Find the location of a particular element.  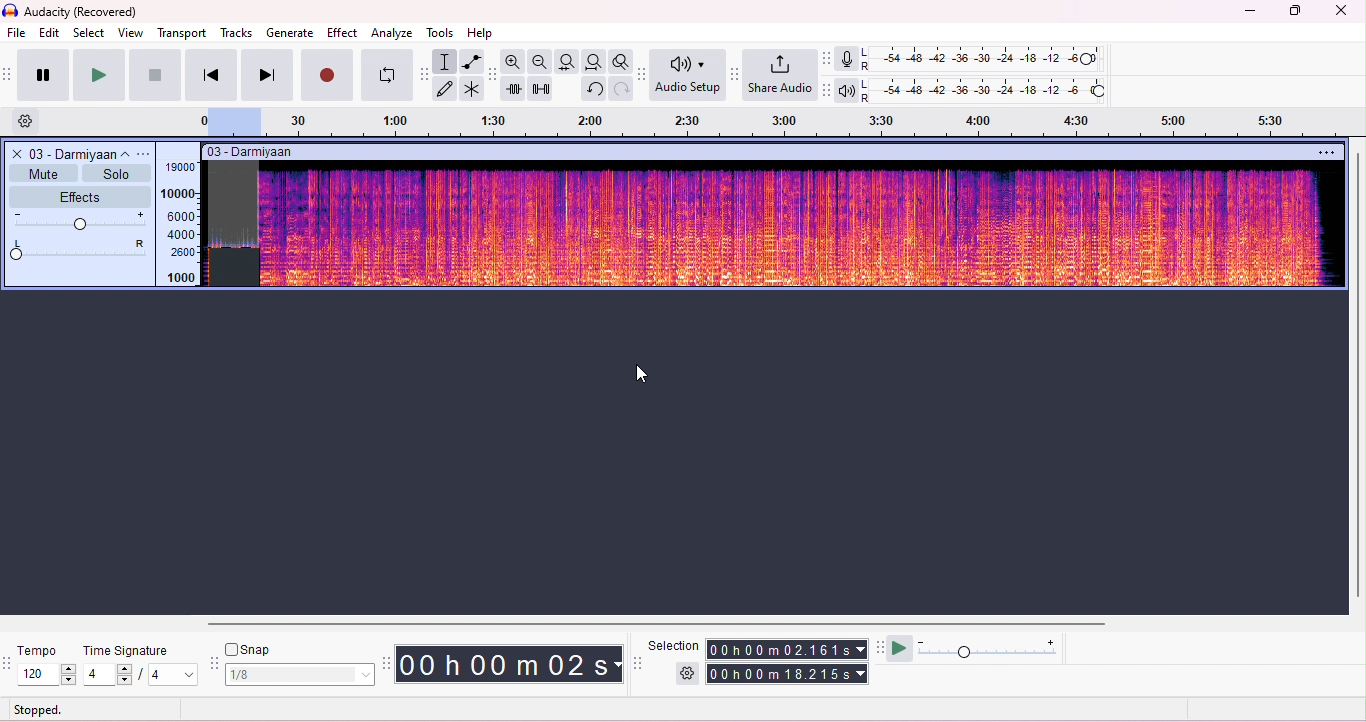

transport is located at coordinates (182, 34).